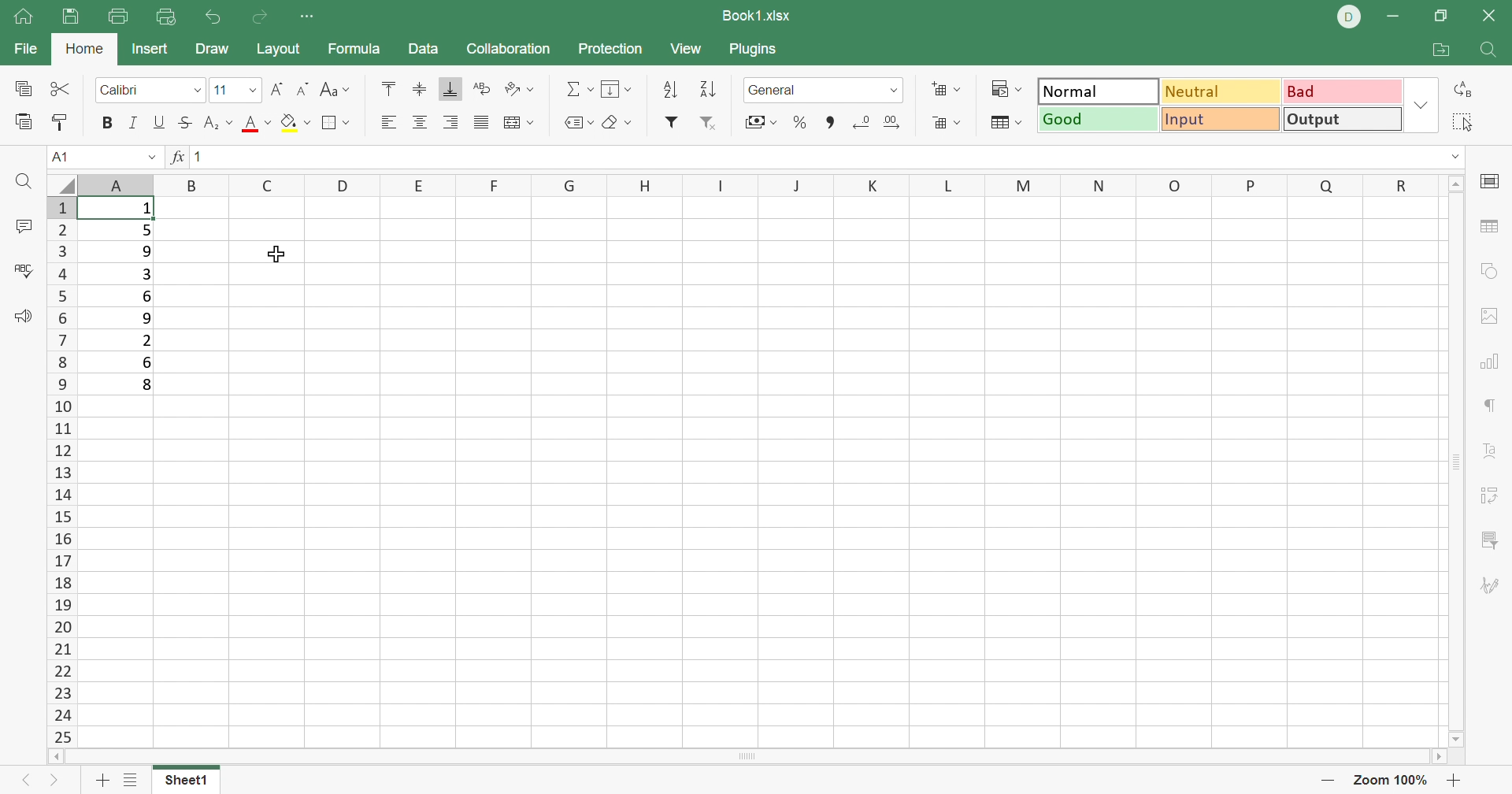  Describe the element at coordinates (218, 123) in the screenshot. I see `Superscript / subscript` at that location.